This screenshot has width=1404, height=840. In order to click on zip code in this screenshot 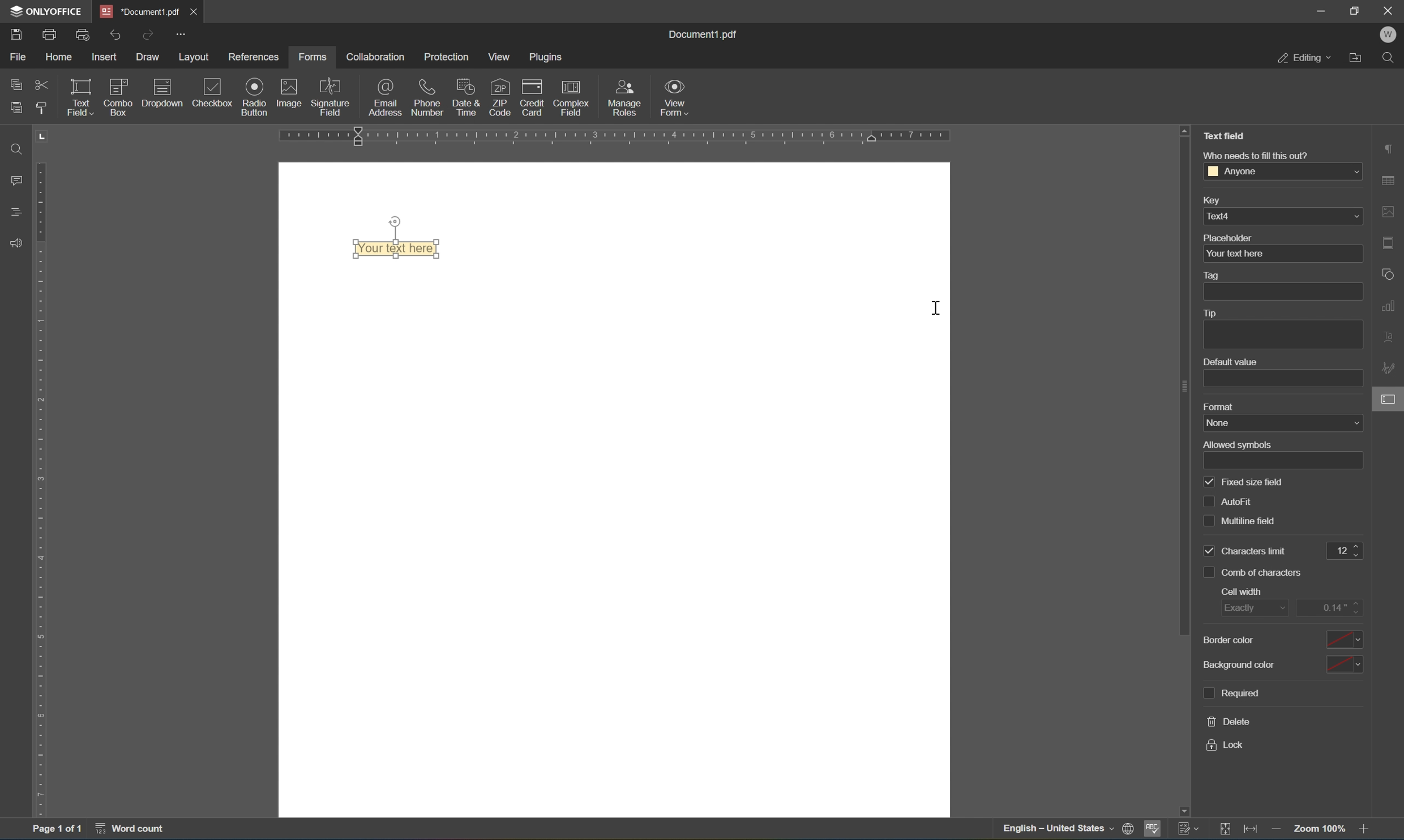, I will do `click(499, 98)`.